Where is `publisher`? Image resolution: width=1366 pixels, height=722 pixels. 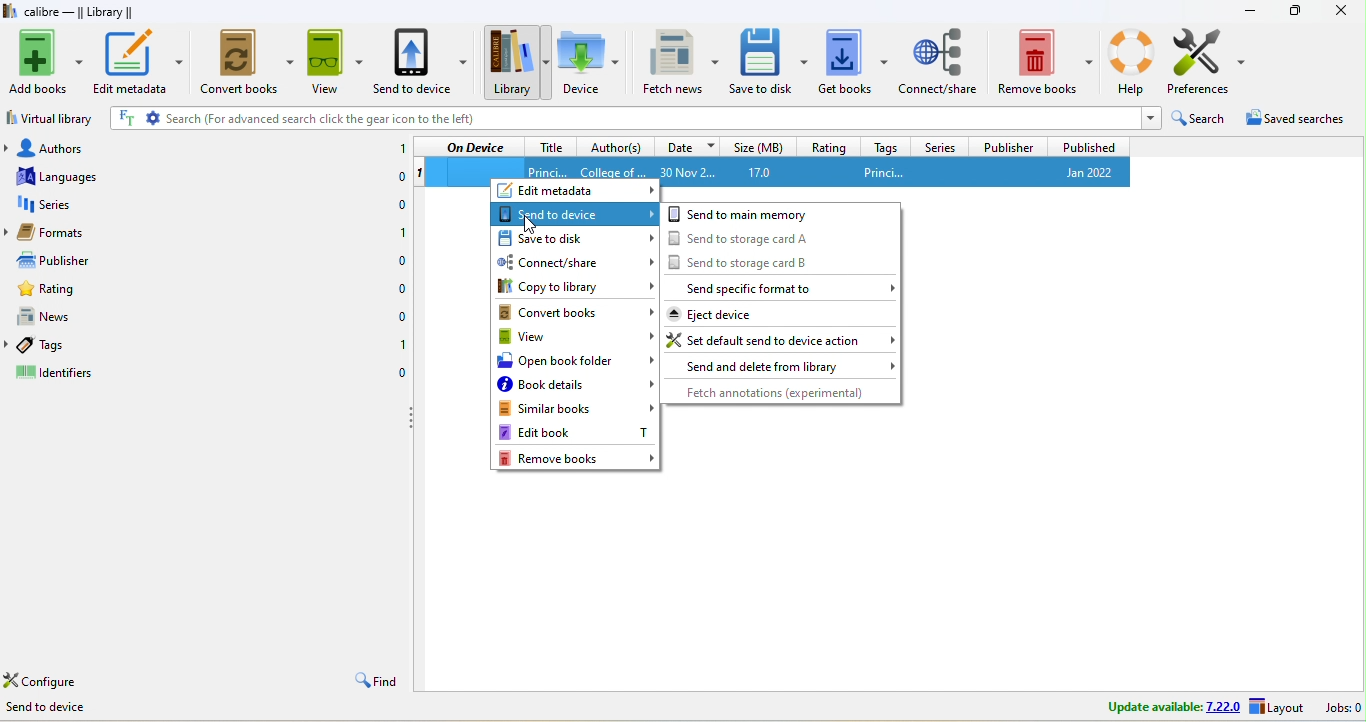 publisher is located at coordinates (1006, 146).